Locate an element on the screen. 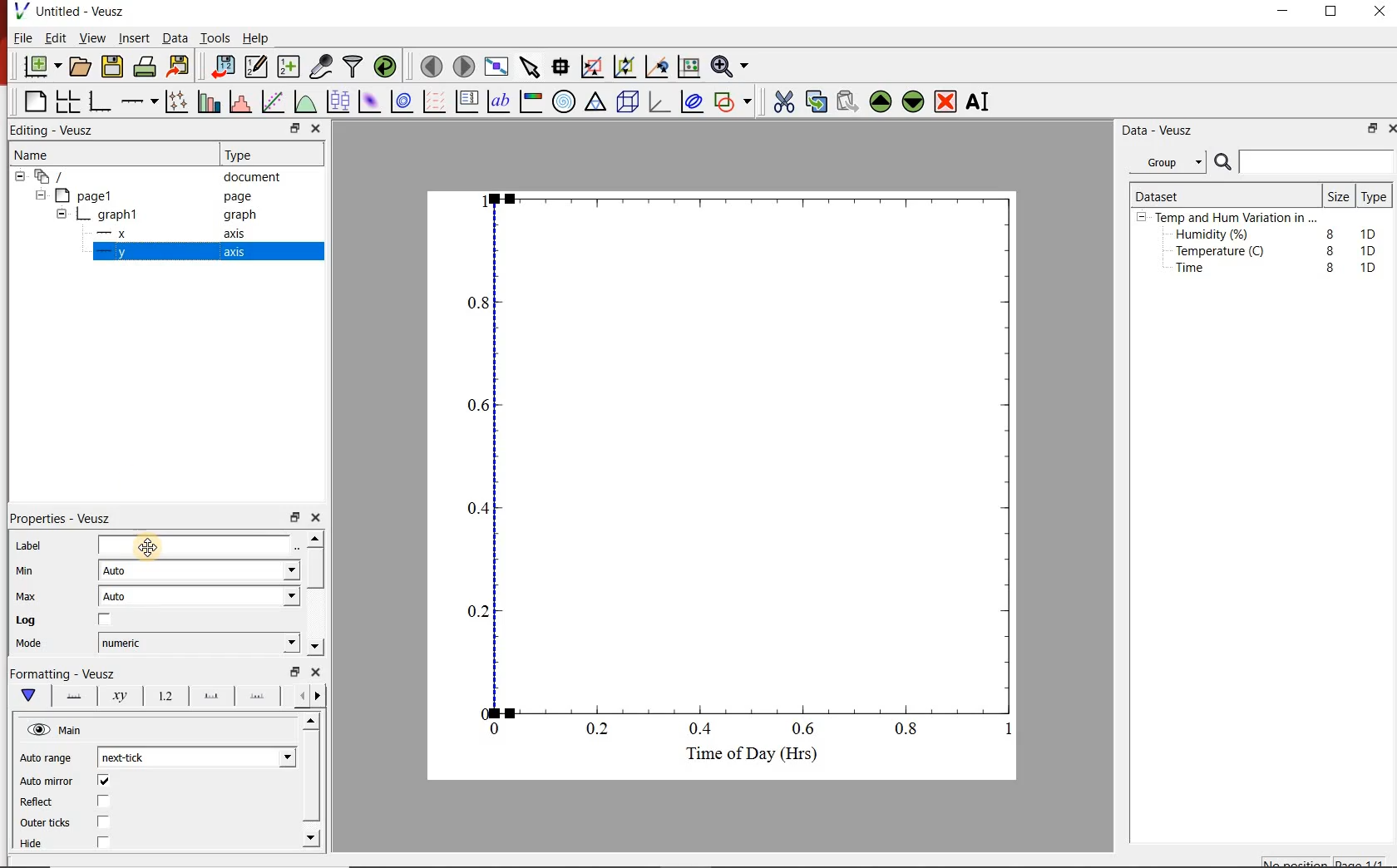 The height and width of the screenshot is (868, 1397). new document is located at coordinates (41, 67).